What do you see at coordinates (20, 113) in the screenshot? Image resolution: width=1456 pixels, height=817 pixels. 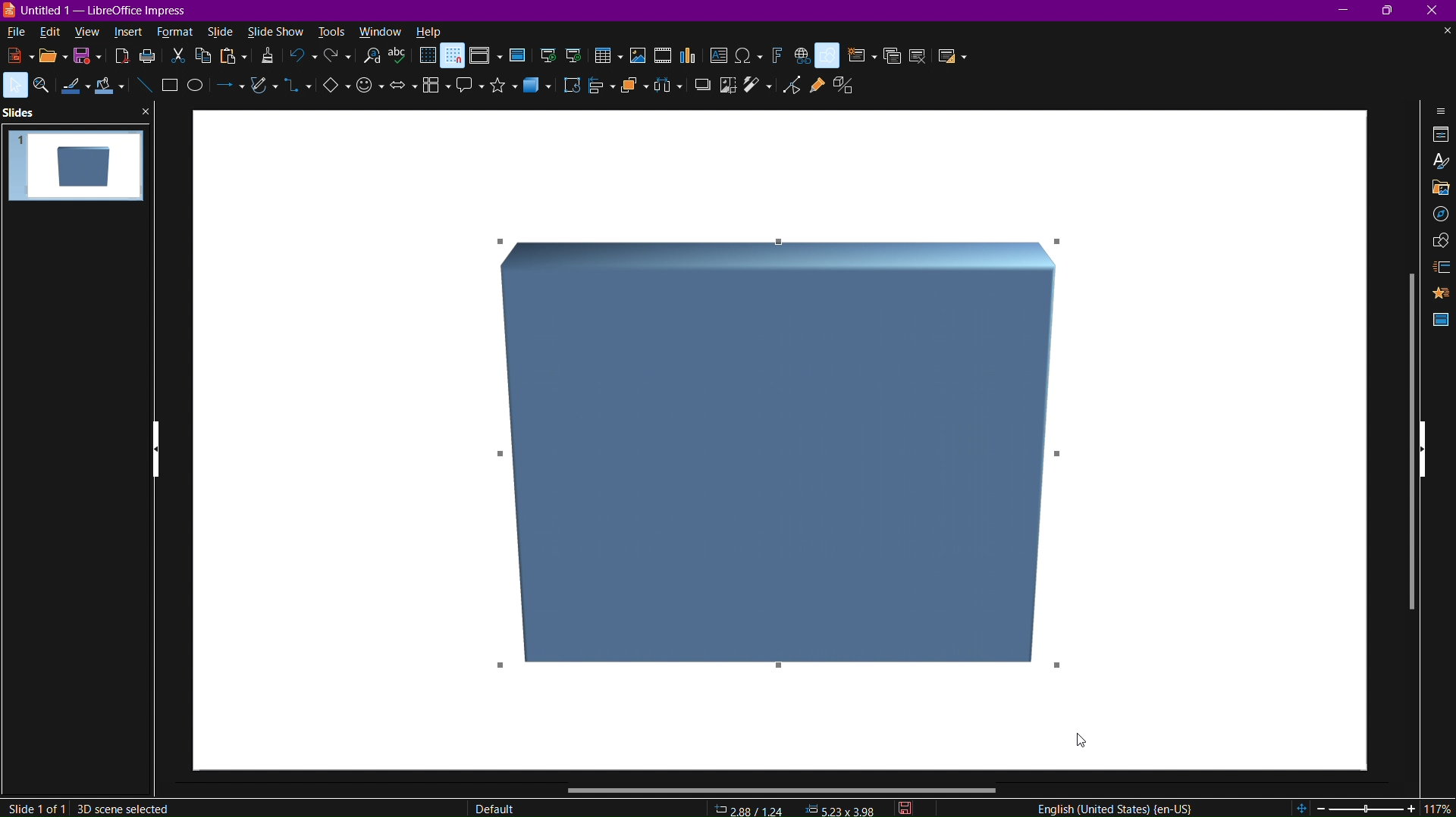 I see `Slides` at bounding box center [20, 113].